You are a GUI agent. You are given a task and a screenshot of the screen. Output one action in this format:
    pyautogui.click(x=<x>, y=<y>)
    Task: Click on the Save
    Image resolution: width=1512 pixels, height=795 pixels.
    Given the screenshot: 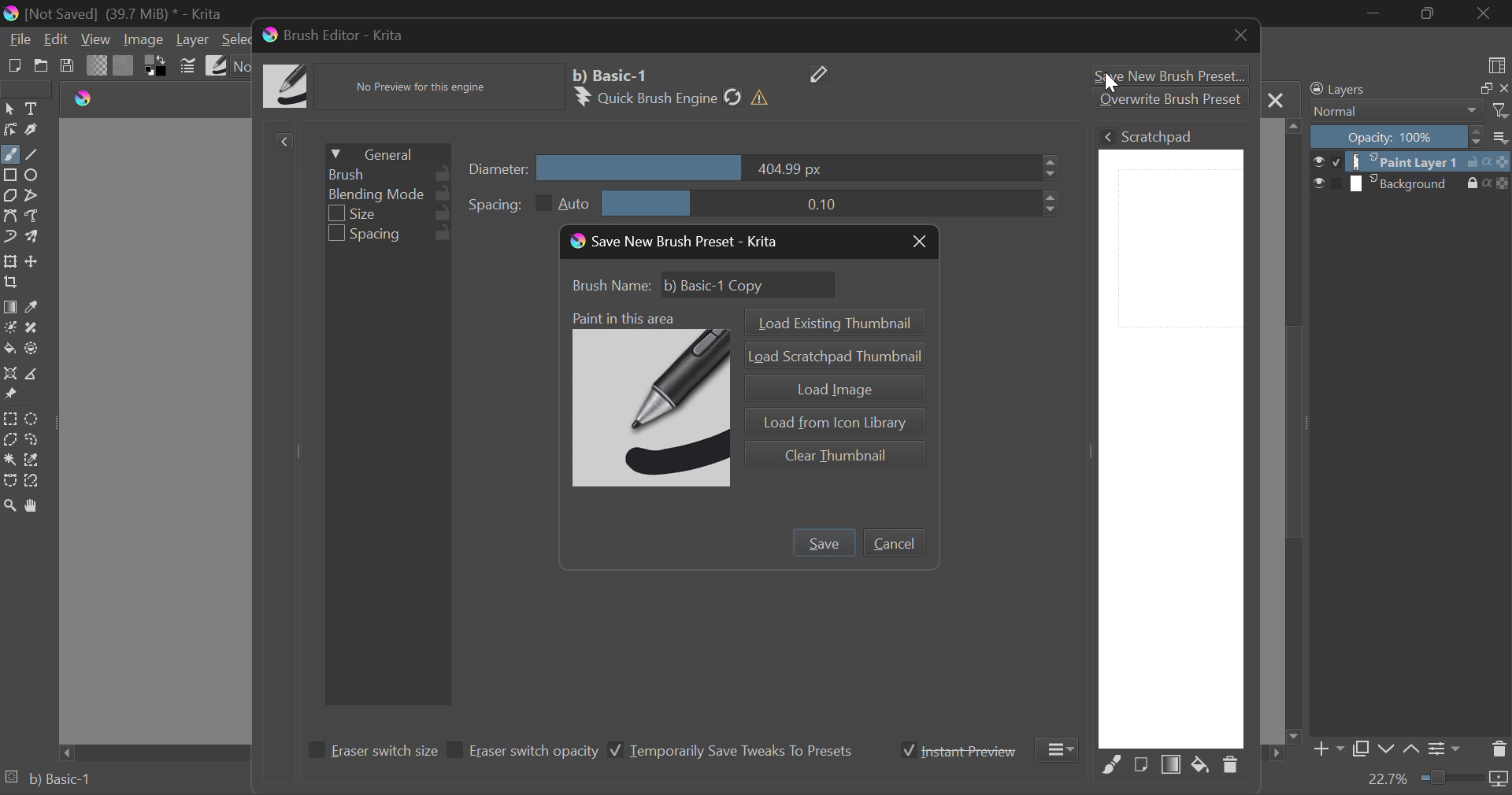 What is the action you would take?
    pyautogui.click(x=68, y=66)
    